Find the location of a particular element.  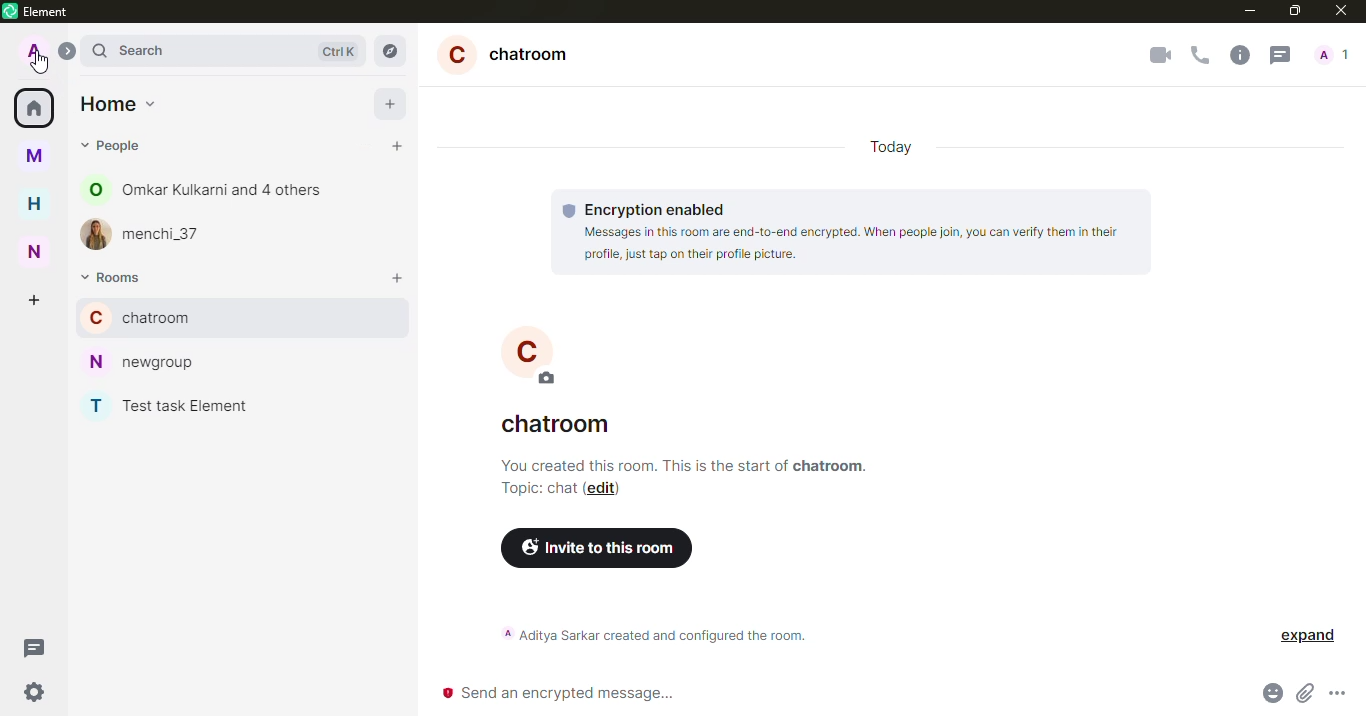

expand is located at coordinates (1311, 637).